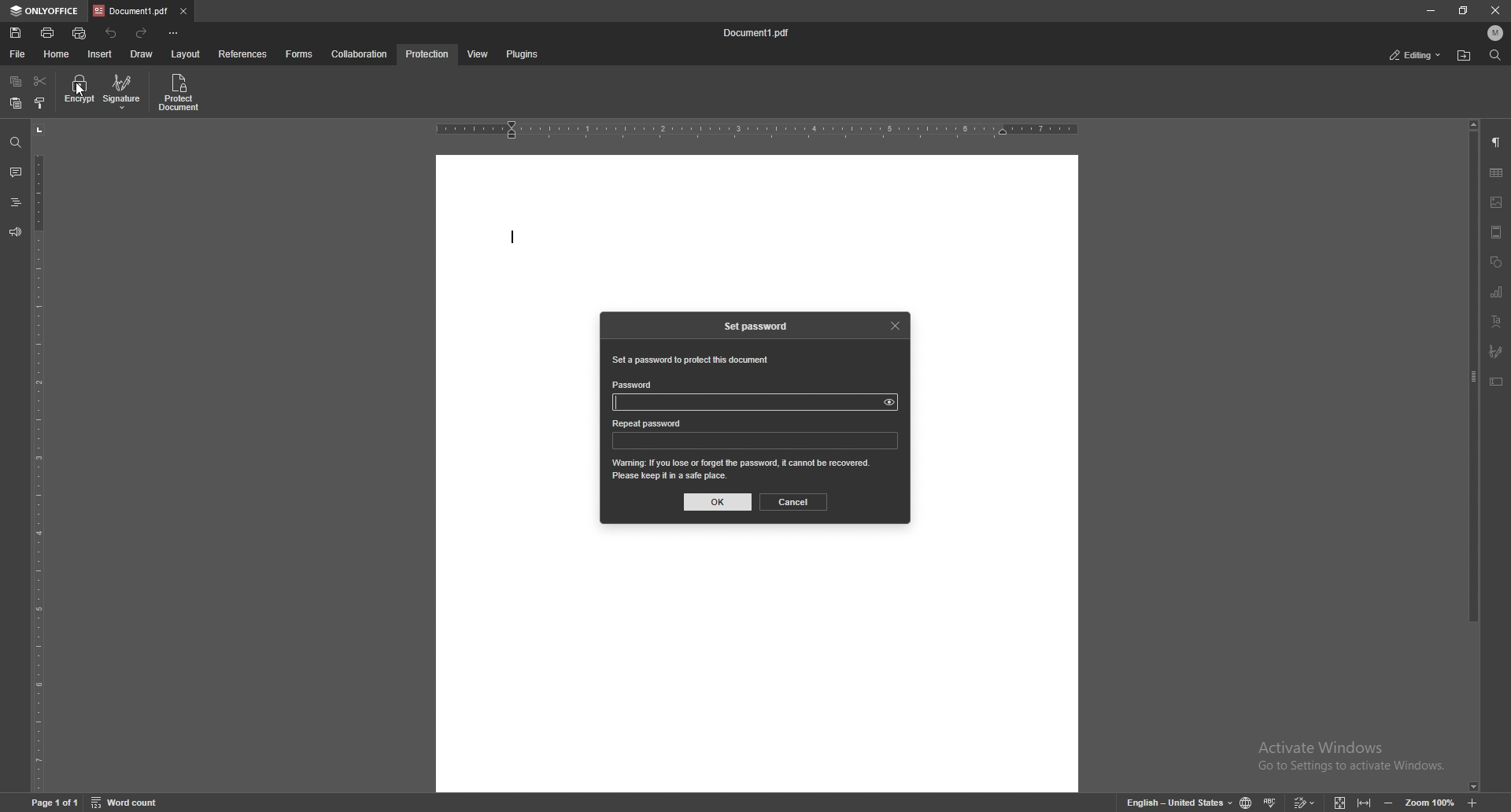 Image resolution: width=1511 pixels, height=812 pixels. What do you see at coordinates (127, 802) in the screenshot?
I see `word count` at bounding box center [127, 802].